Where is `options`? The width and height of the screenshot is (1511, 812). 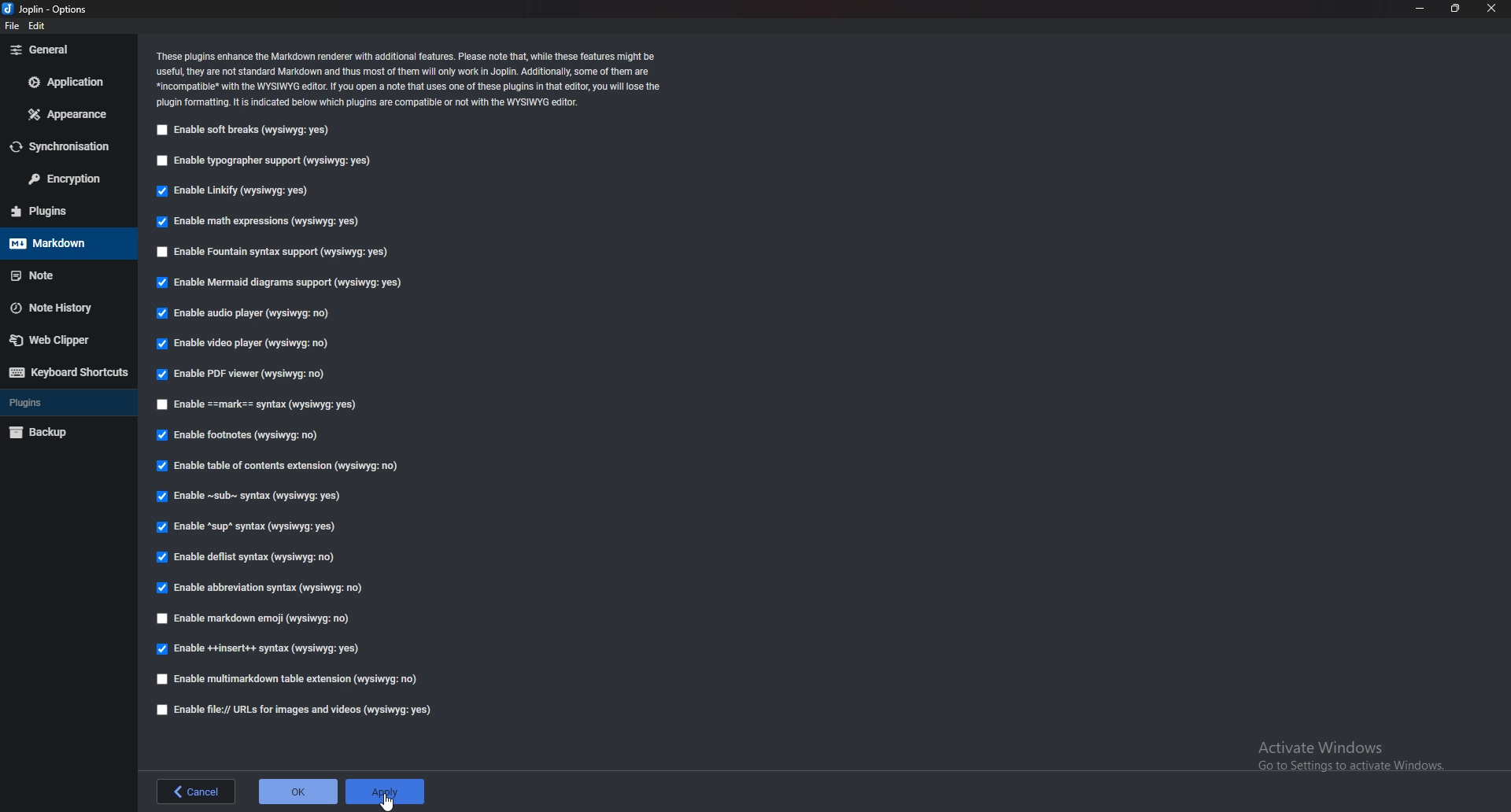 options is located at coordinates (45, 10).